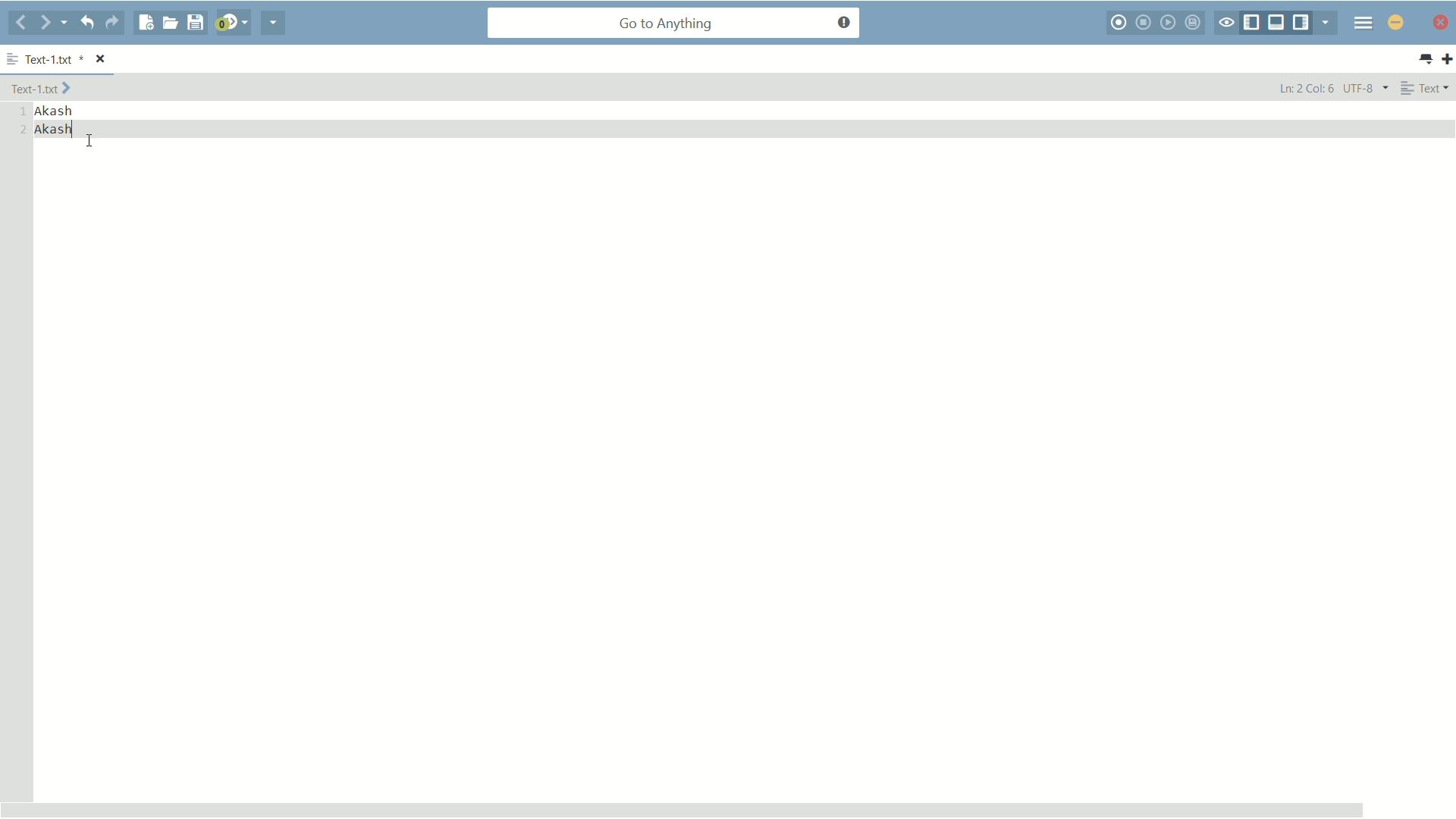  What do you see at coordinates (1169, 22) in the screenshot?
I see `play last macro` at bounding box center [1169, 22].